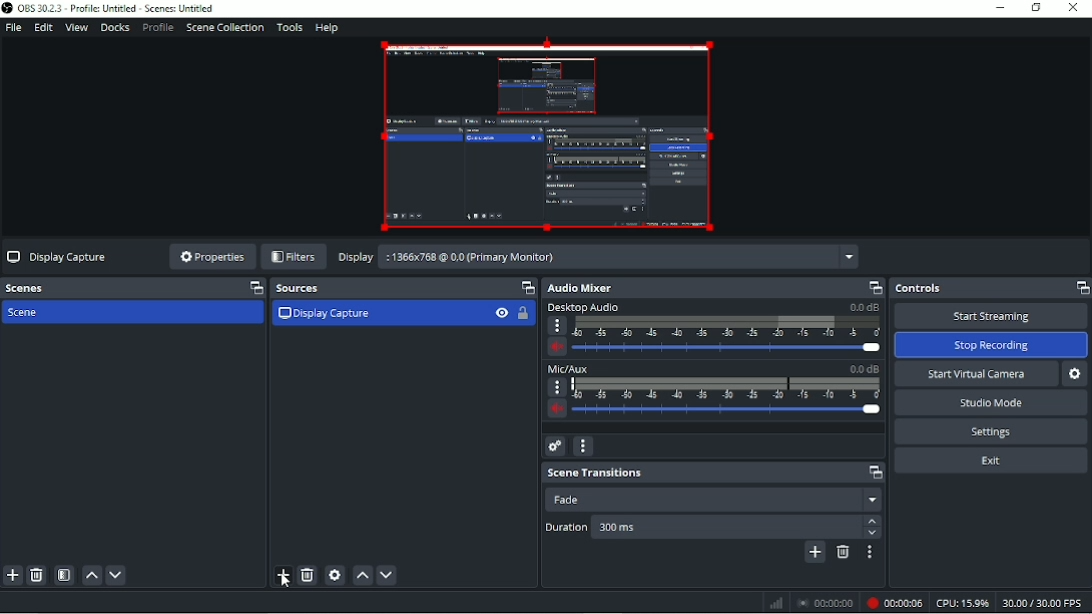 This screenshot has width=1092, height=614. Describe the element at coordinates (976, 375) in the screenshot. I see `Start virtual camera` at that location.